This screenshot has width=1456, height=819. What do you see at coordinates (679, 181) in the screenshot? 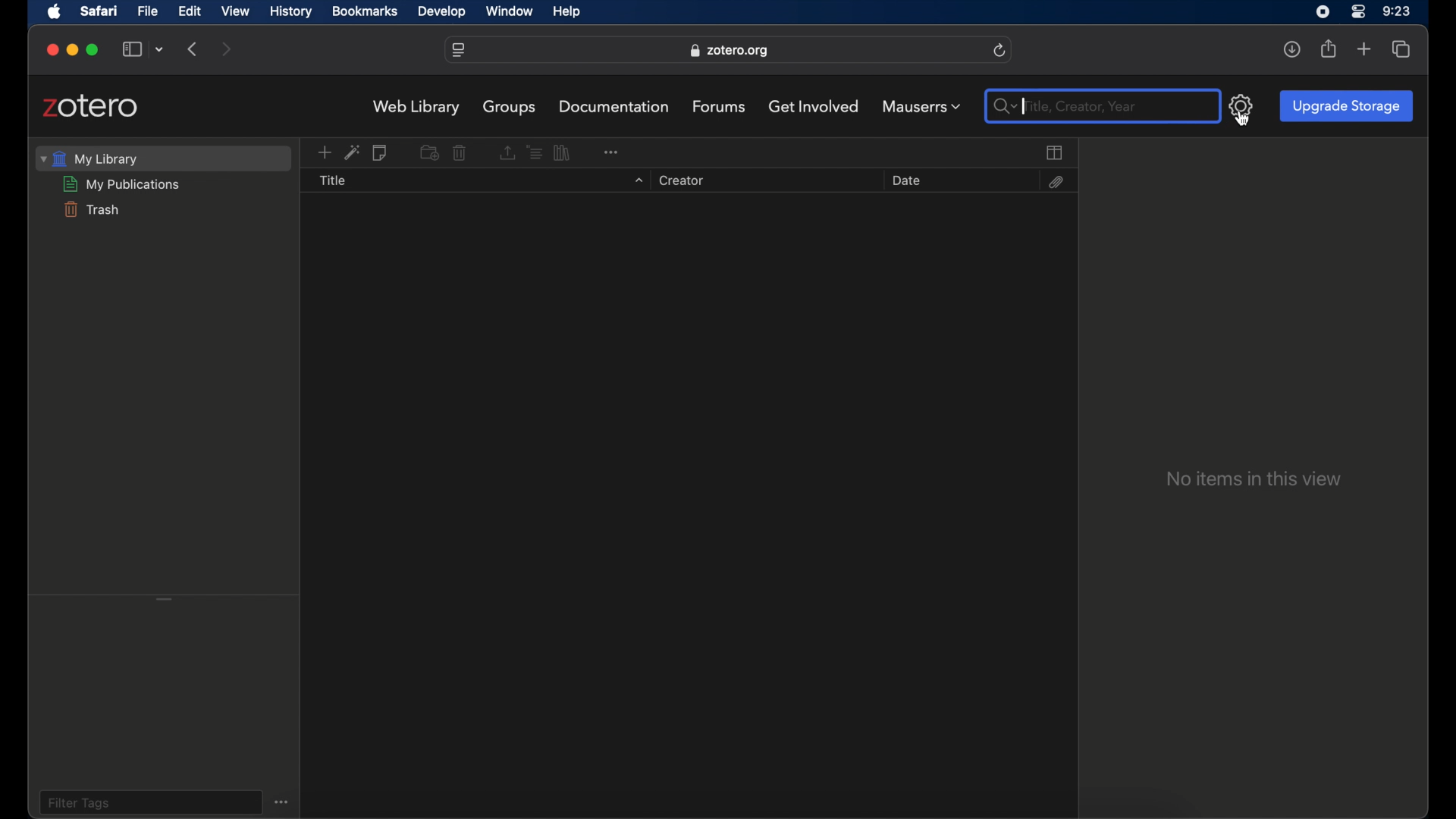
I see `creator` at bounding box center [679, 181].